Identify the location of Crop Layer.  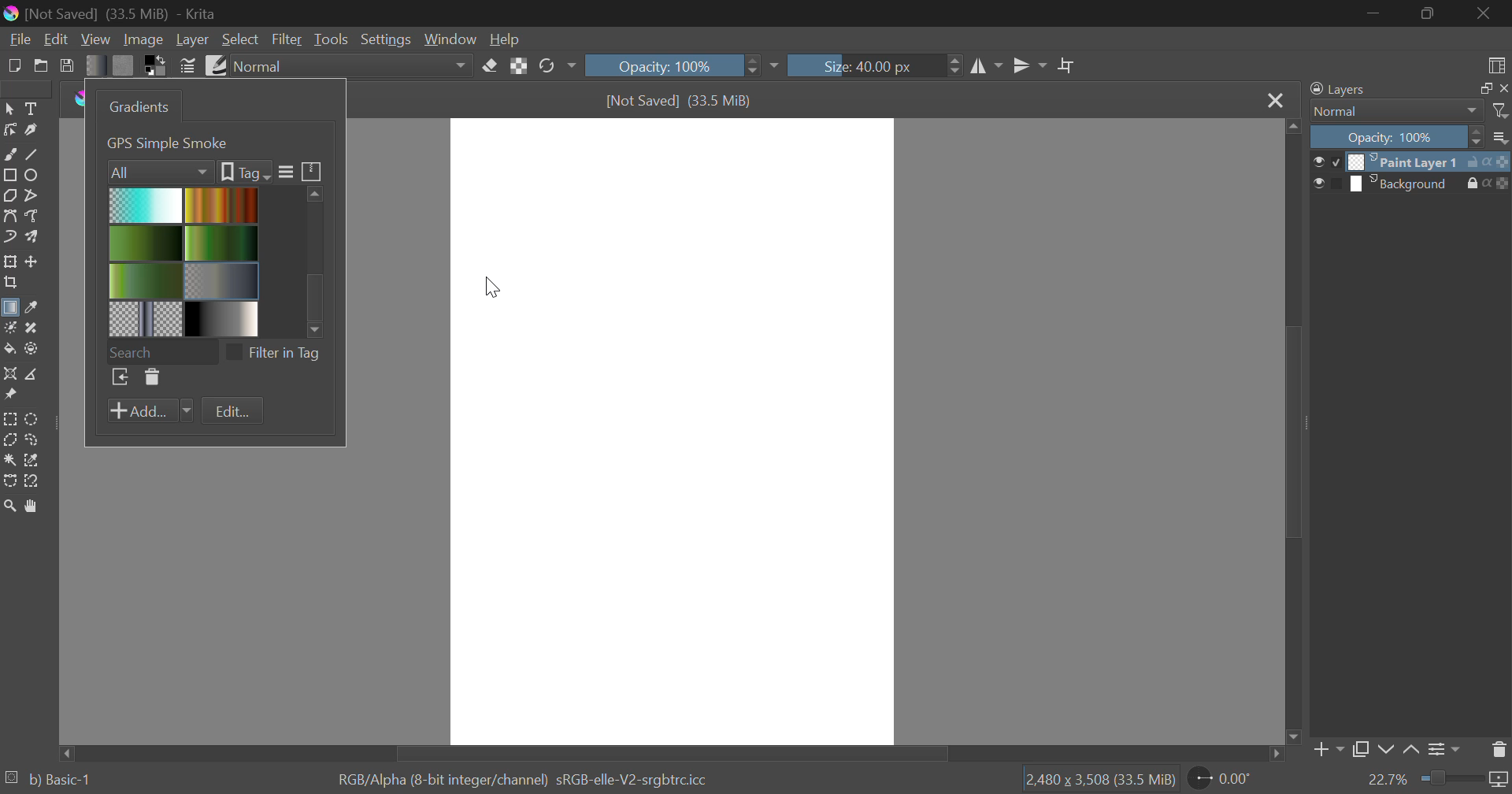
(9, 284).